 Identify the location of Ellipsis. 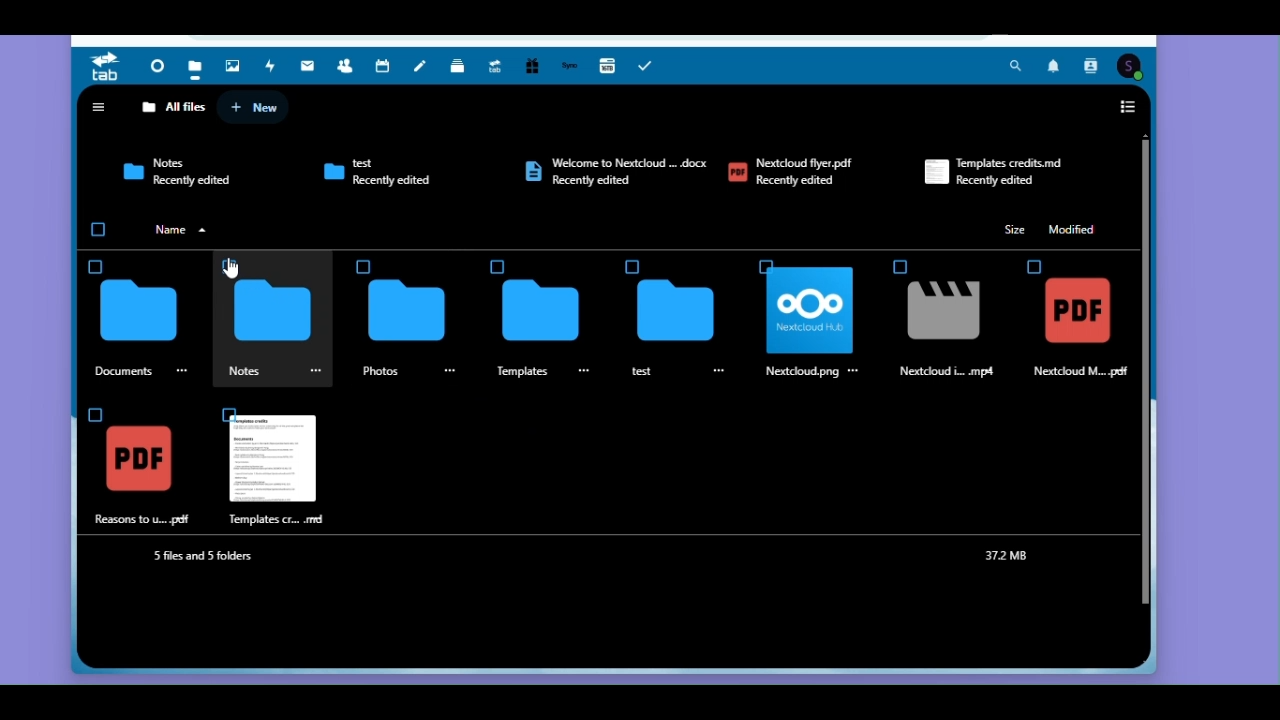
(596, 373).